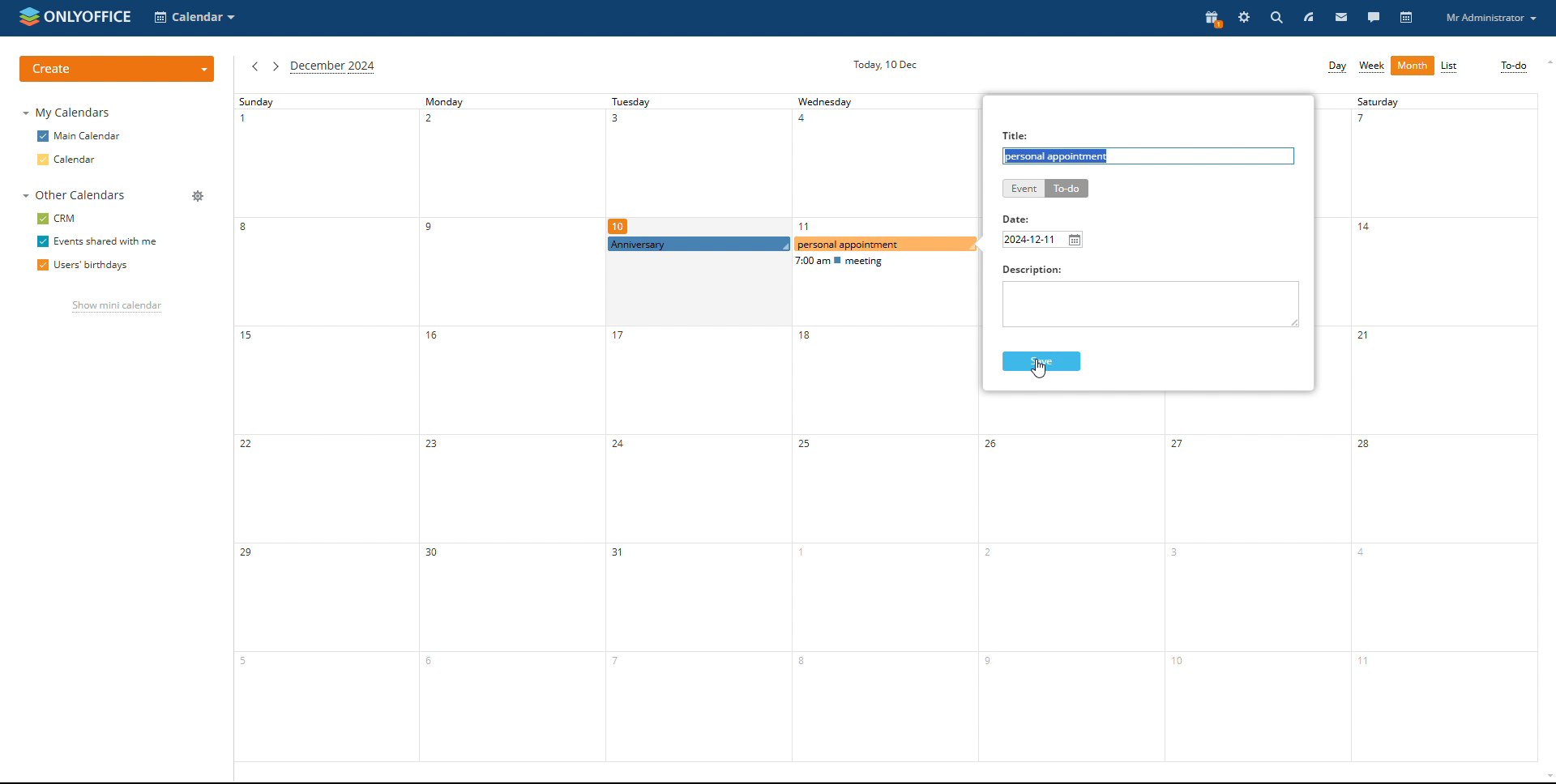 Image resolution: width=1556 pixels, height=784 pixels. I want to click on cursor, so click(1036, 371).